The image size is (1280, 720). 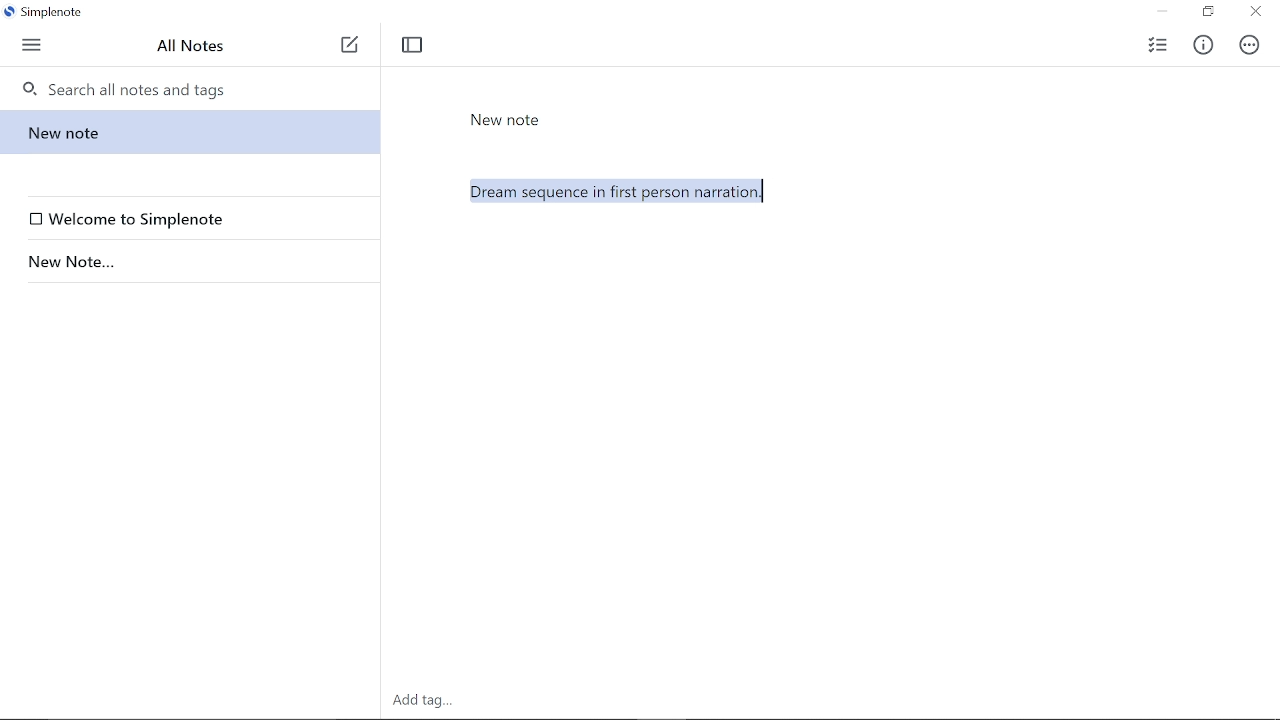 I want to click on Menu, so click(x=33, y=43).